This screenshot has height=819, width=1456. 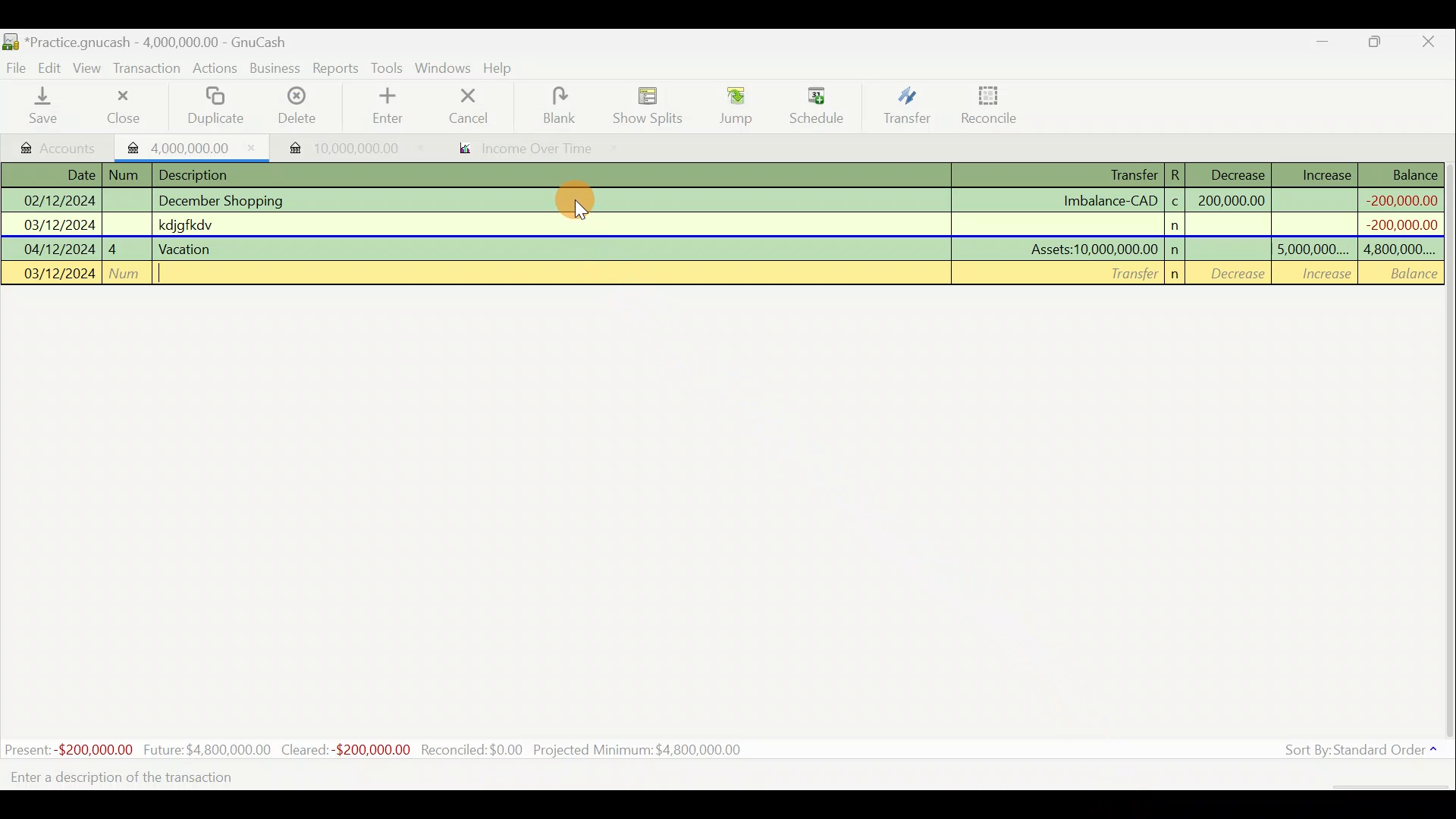 I want to click on Sort by, so click(x=1364, y=753).